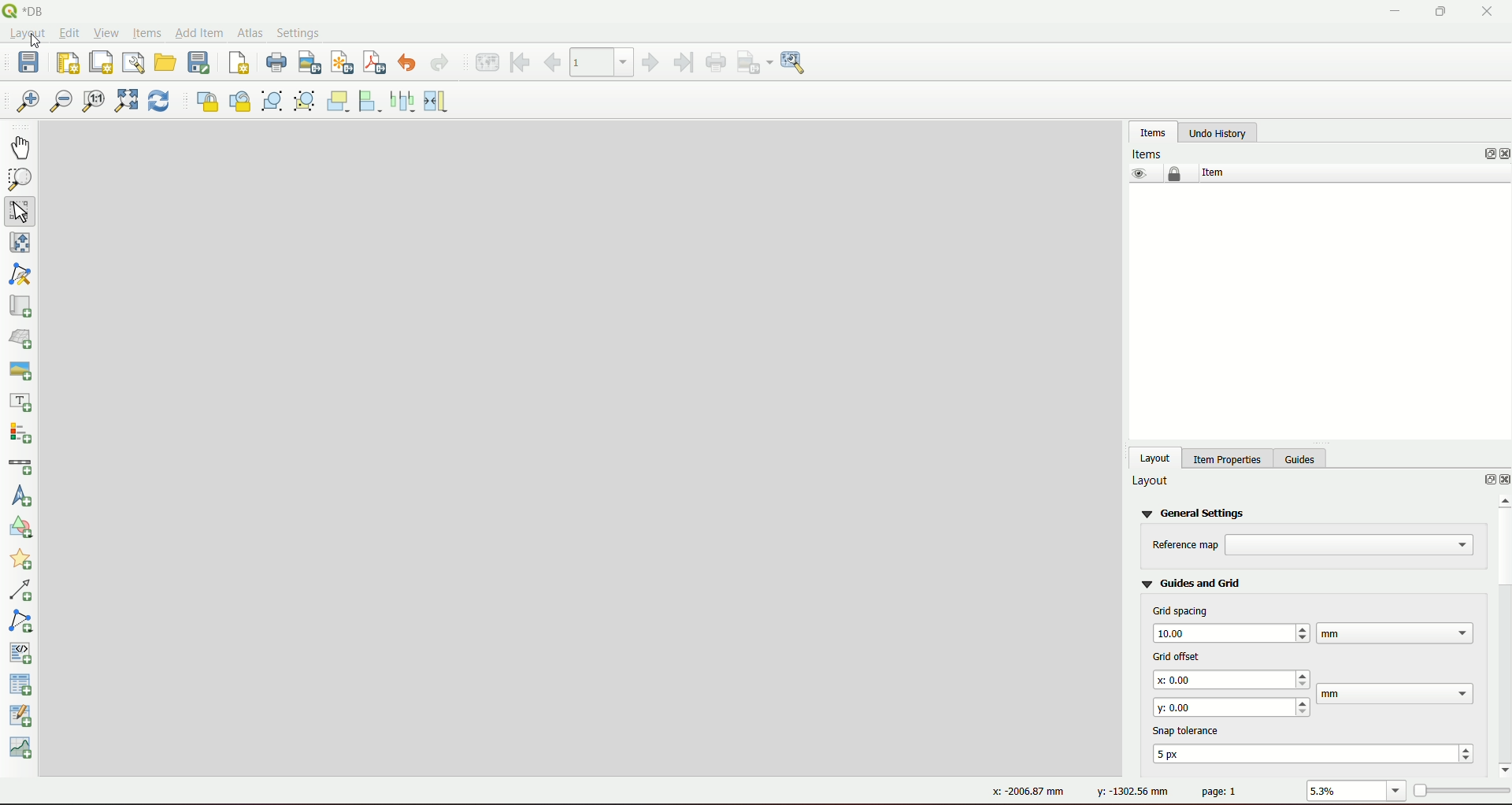 This screenshot has height=805, width=1512. I want to click on Atlas, so click(249, 32).